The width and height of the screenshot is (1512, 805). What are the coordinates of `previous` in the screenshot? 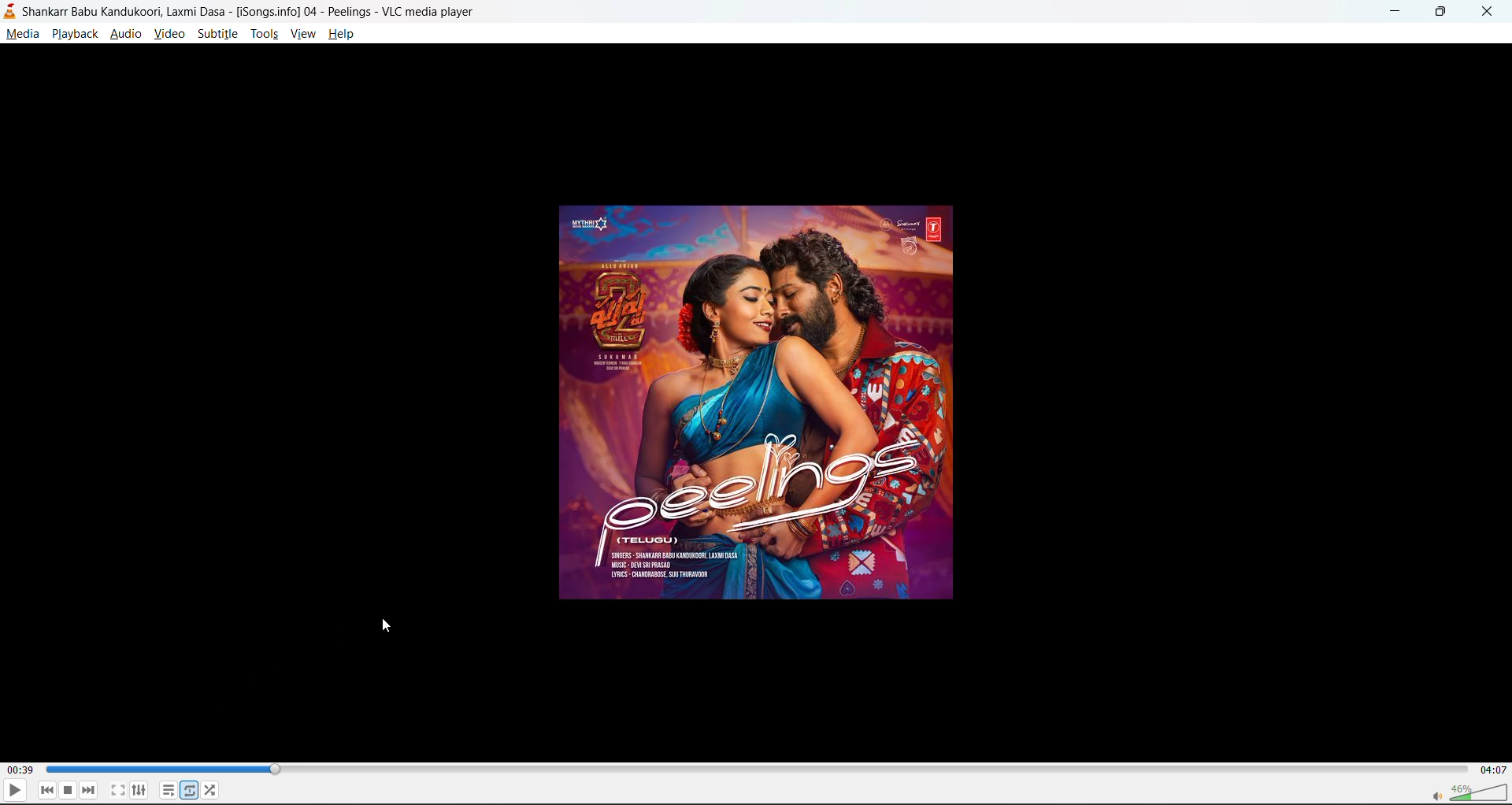 It's located at (48, 790).